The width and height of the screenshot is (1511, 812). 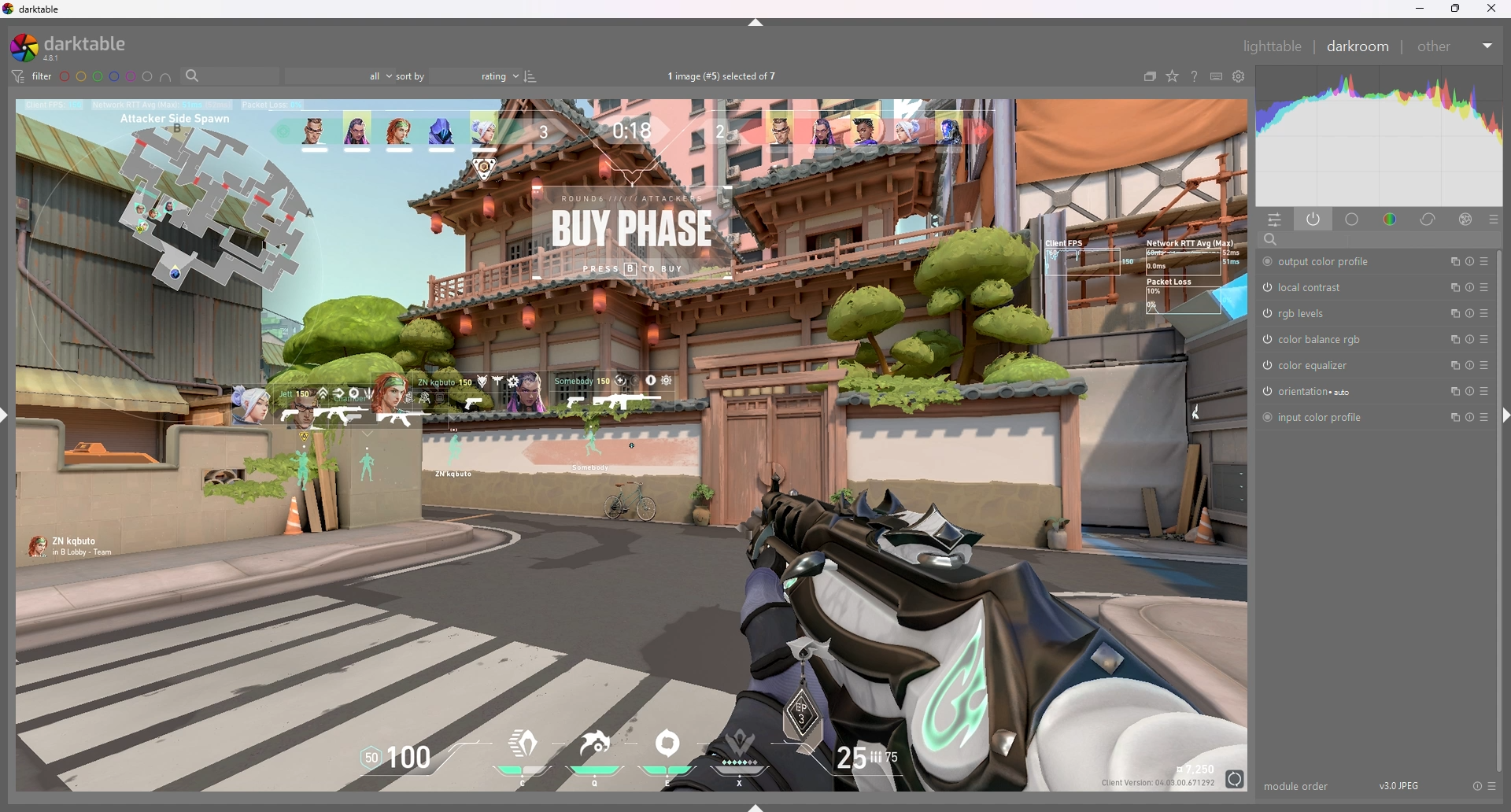 What do you see at coordinates (1452, 340) in the screenshot?
I see `multiple instances action` at bounding box center [1452, 340].